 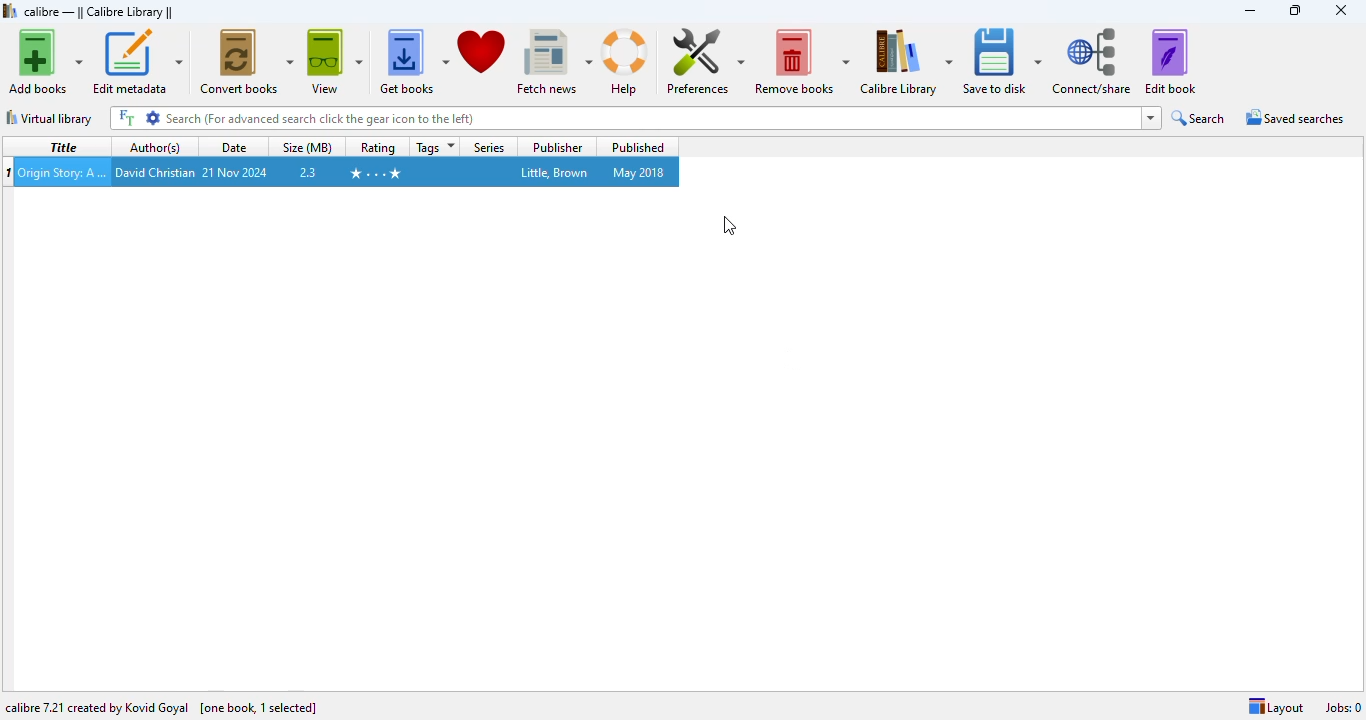 I want to click on preferences, so click(x=705, y=60).